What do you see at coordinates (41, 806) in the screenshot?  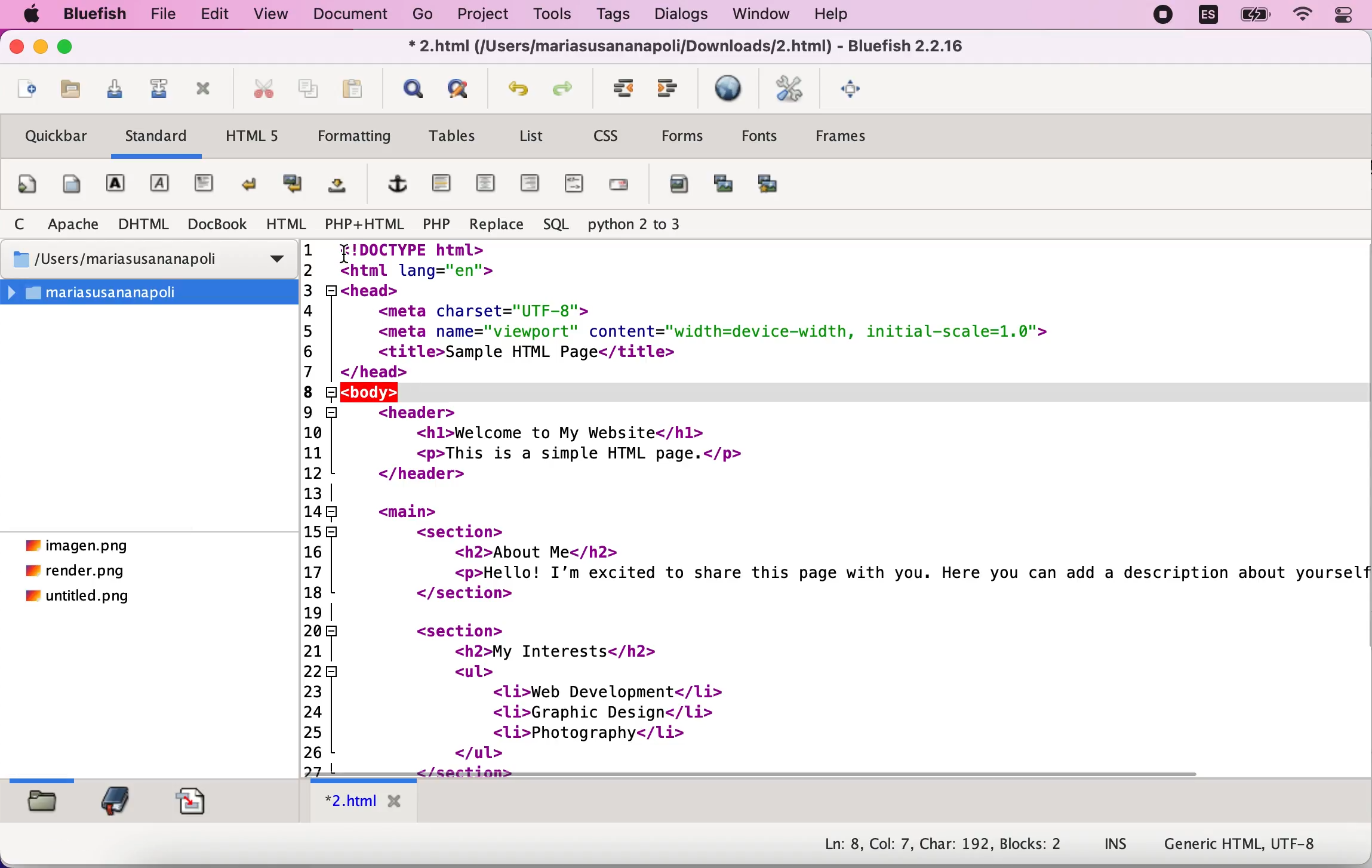 I see `filebrowser` at bounding box center [41, 806].